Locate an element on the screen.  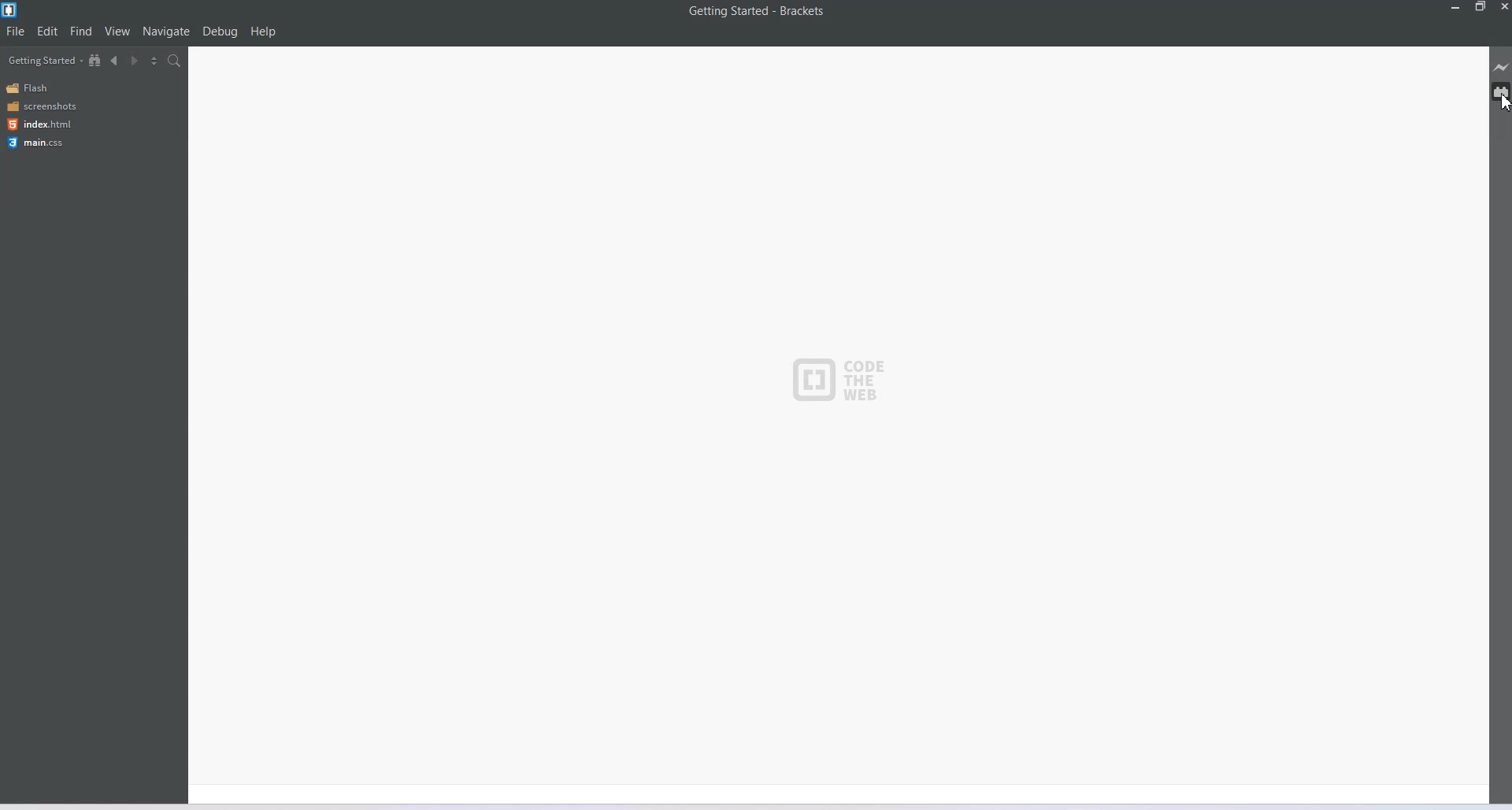
Flash is located at coordinates (30, 88).